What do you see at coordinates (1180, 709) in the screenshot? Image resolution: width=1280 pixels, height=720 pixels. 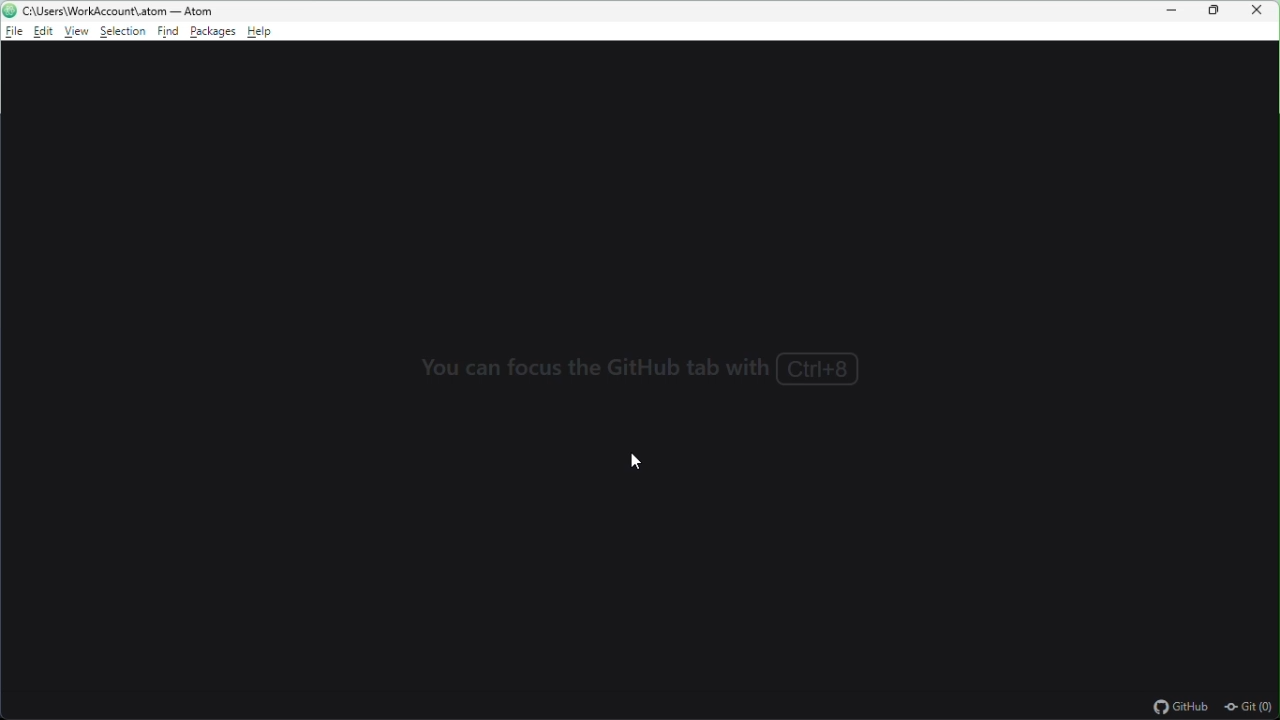 I see `github` at bounding box center [1180, 709].